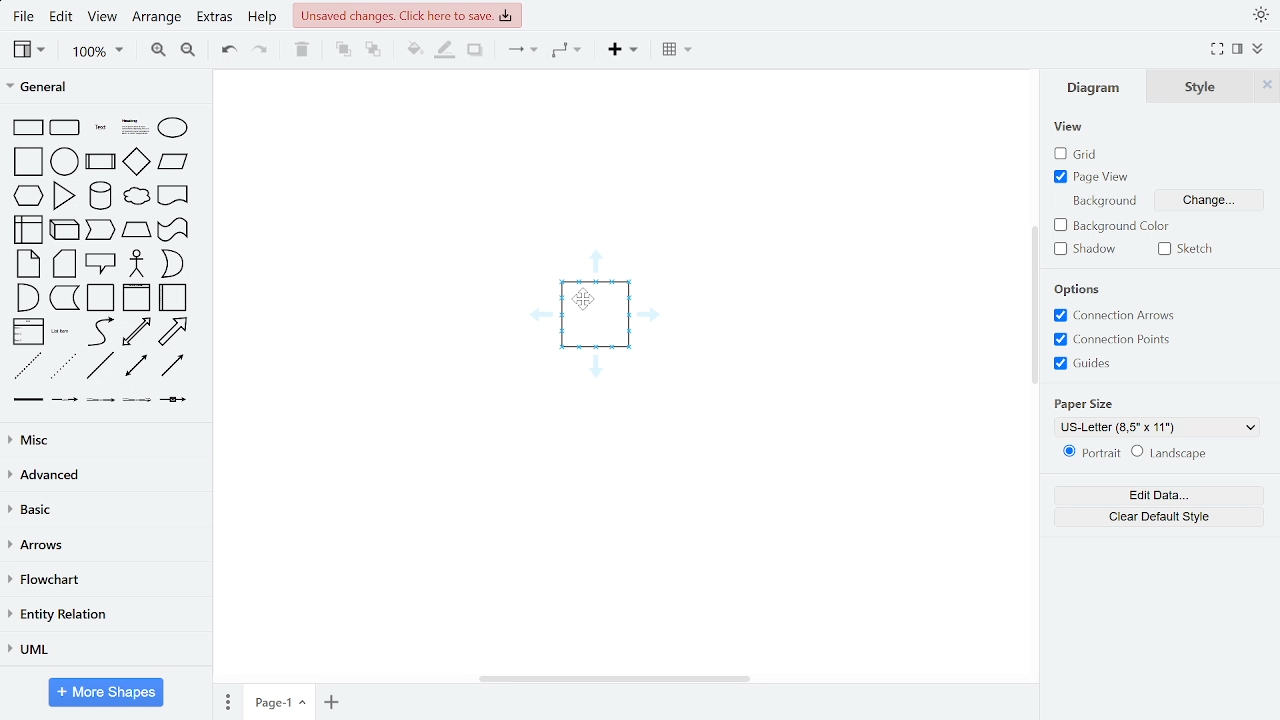 This screenshot has width=1280, height=720. Describe the element at coordinates (278, 703) in the screenshot. I see `current page` at that location.